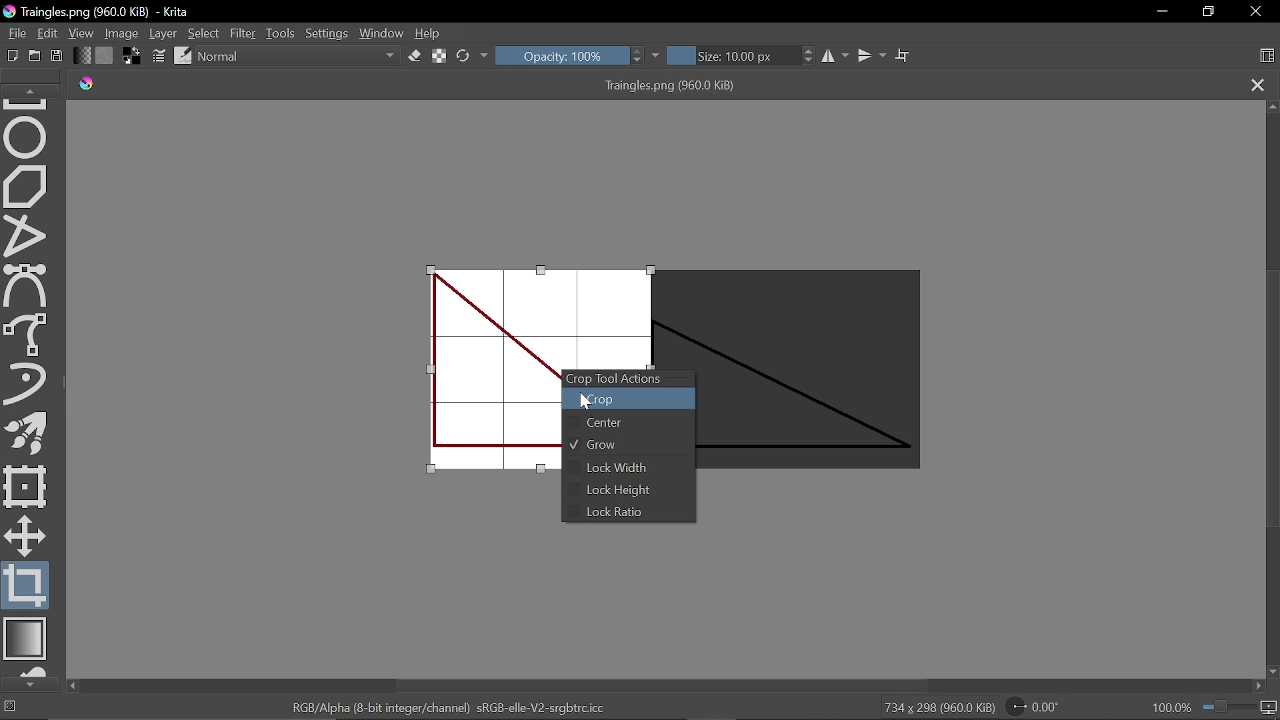 This screenshot has height=720, width=1280. Describe the element at coordinates (27, 136) in the screenshot. I see `Ellipse tool` at that location.